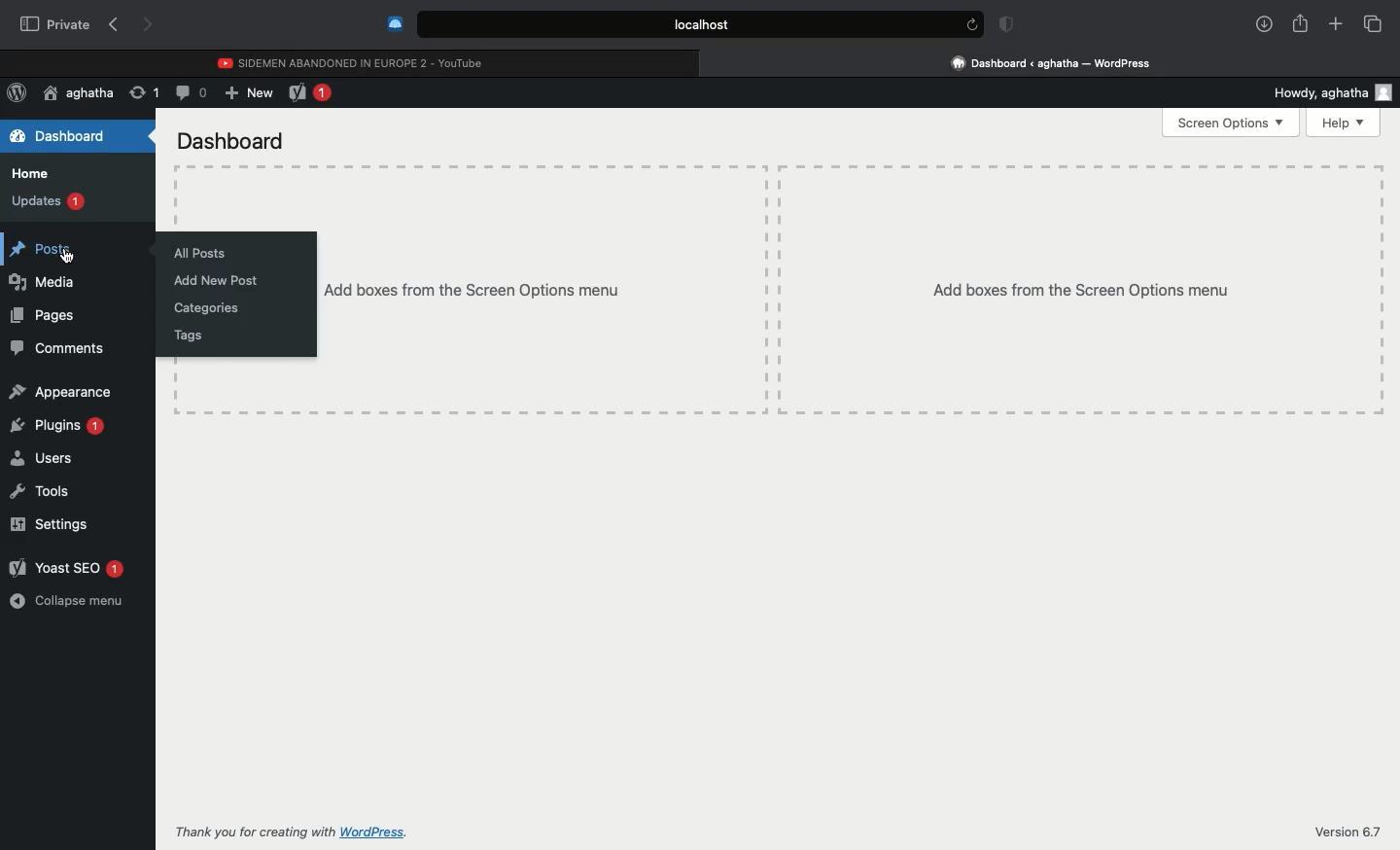 This screenshot has width=1400, height=850. What do you see at coordinates (142, 91) in the screenshot?
I see `Update` at bounding box center [142, 91].